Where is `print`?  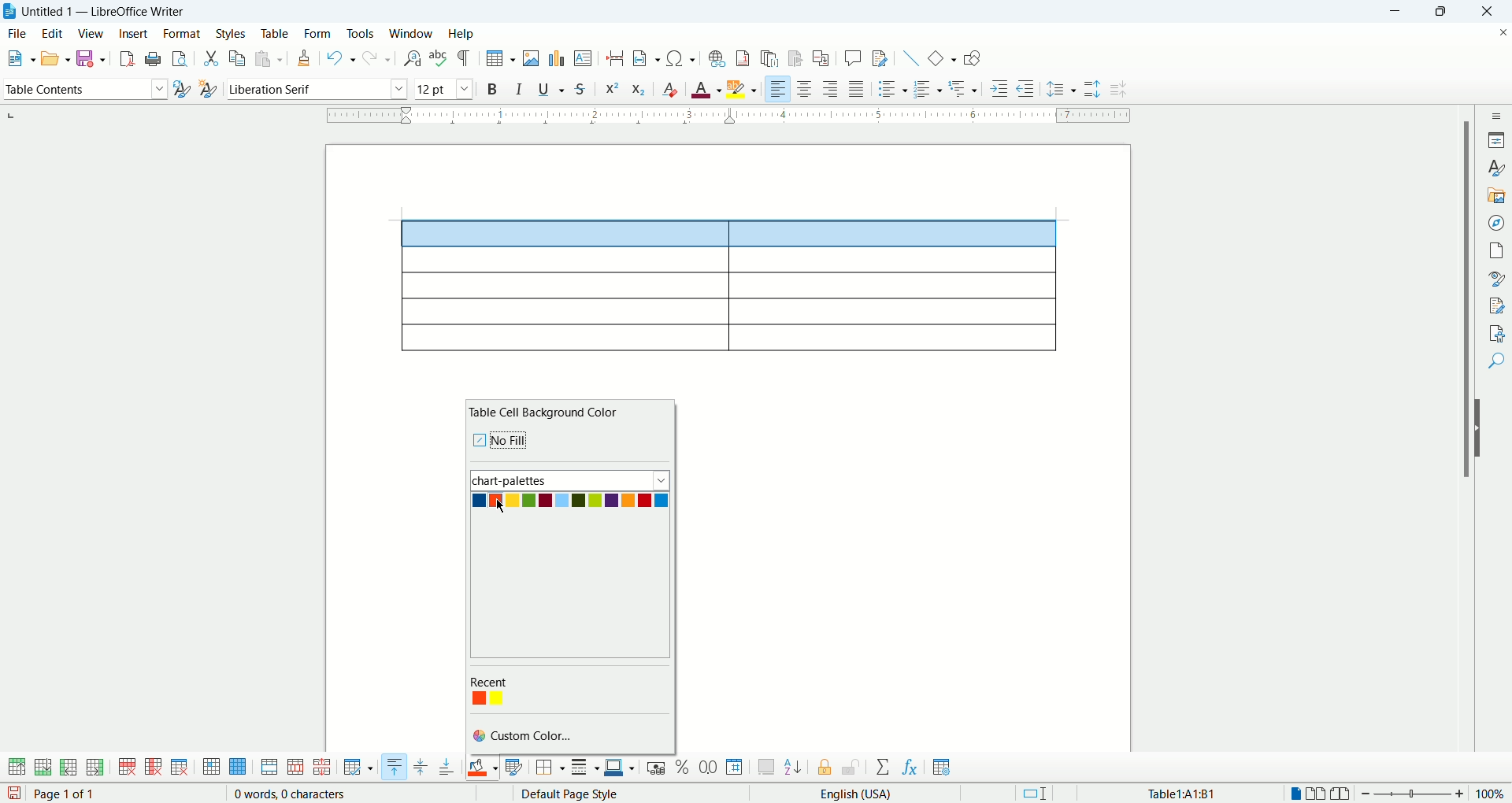 print is located at coordinates (154, 58).